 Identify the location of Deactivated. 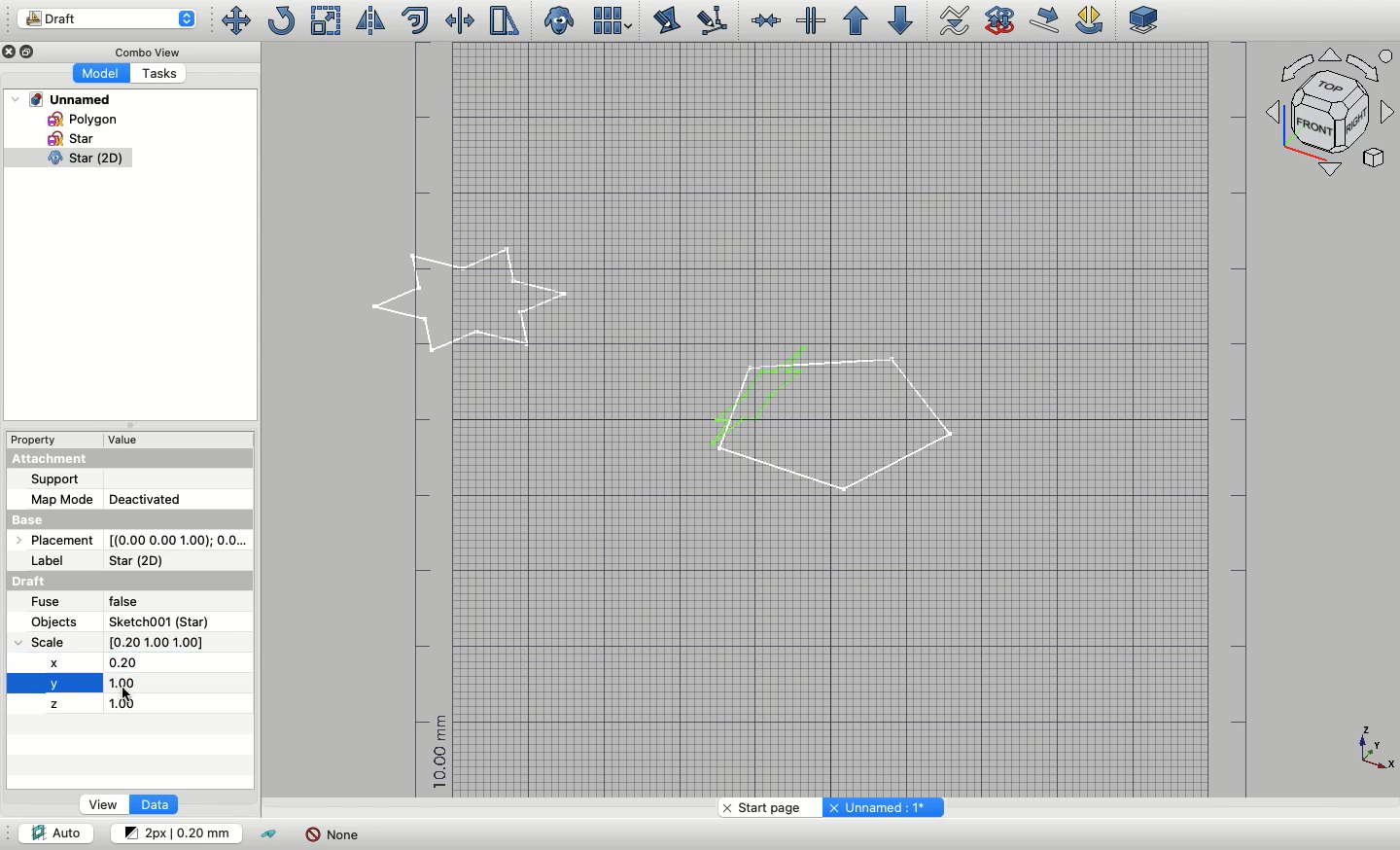
(162, 497).